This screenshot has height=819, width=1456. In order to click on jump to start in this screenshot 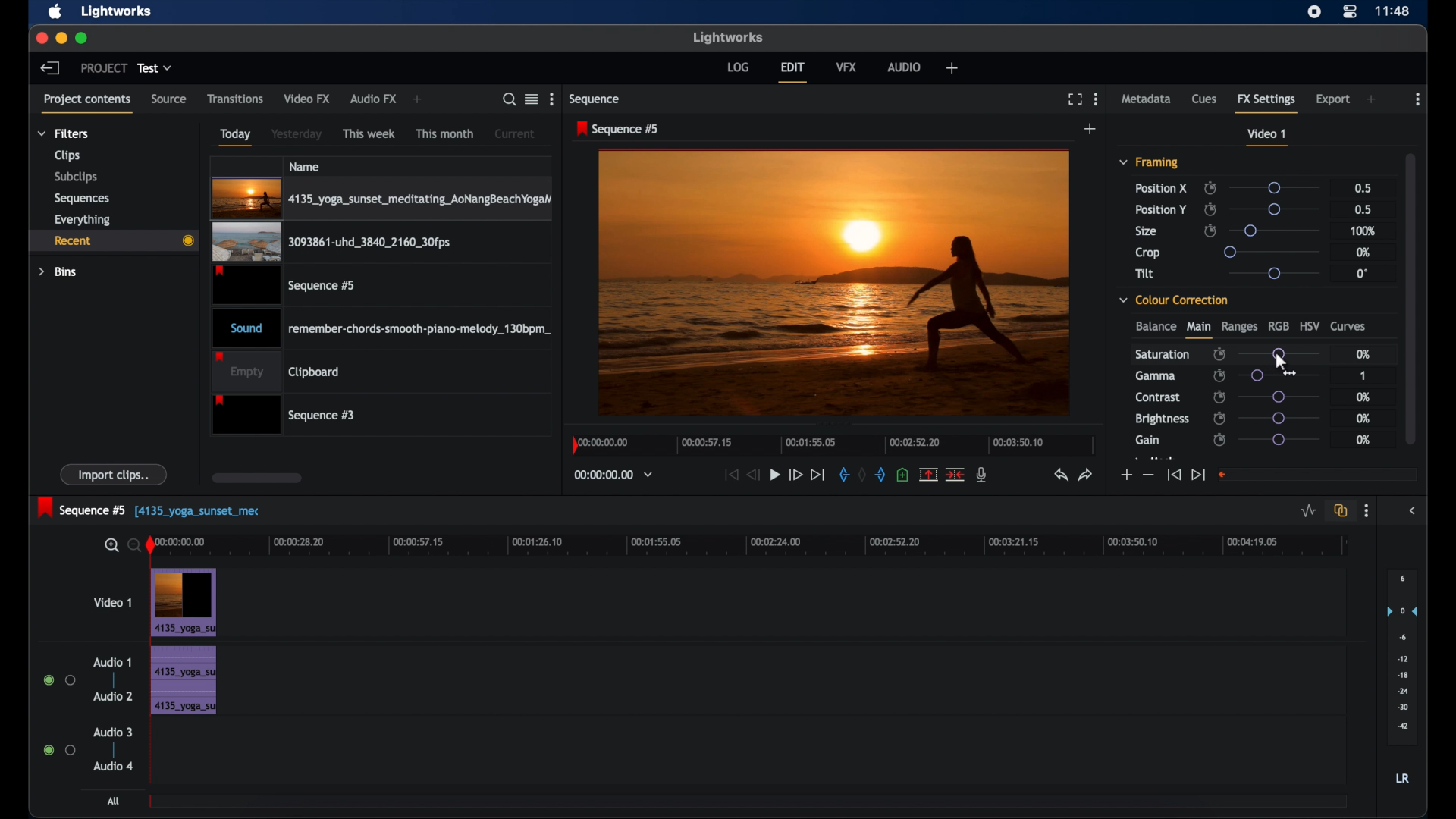, I will do `click(731, 474)`.